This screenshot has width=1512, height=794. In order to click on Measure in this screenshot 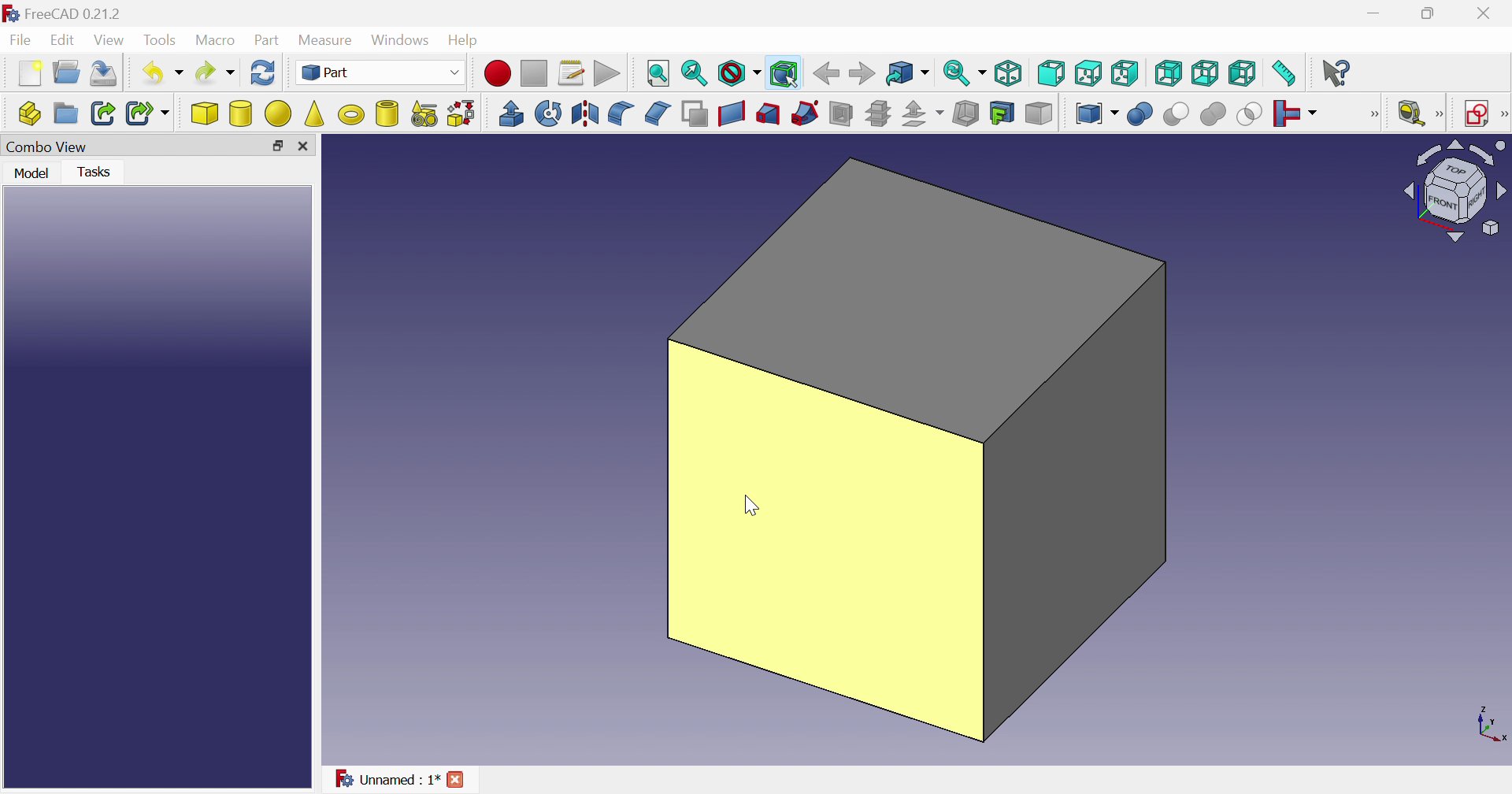, I will do `click(1440, 114)`.